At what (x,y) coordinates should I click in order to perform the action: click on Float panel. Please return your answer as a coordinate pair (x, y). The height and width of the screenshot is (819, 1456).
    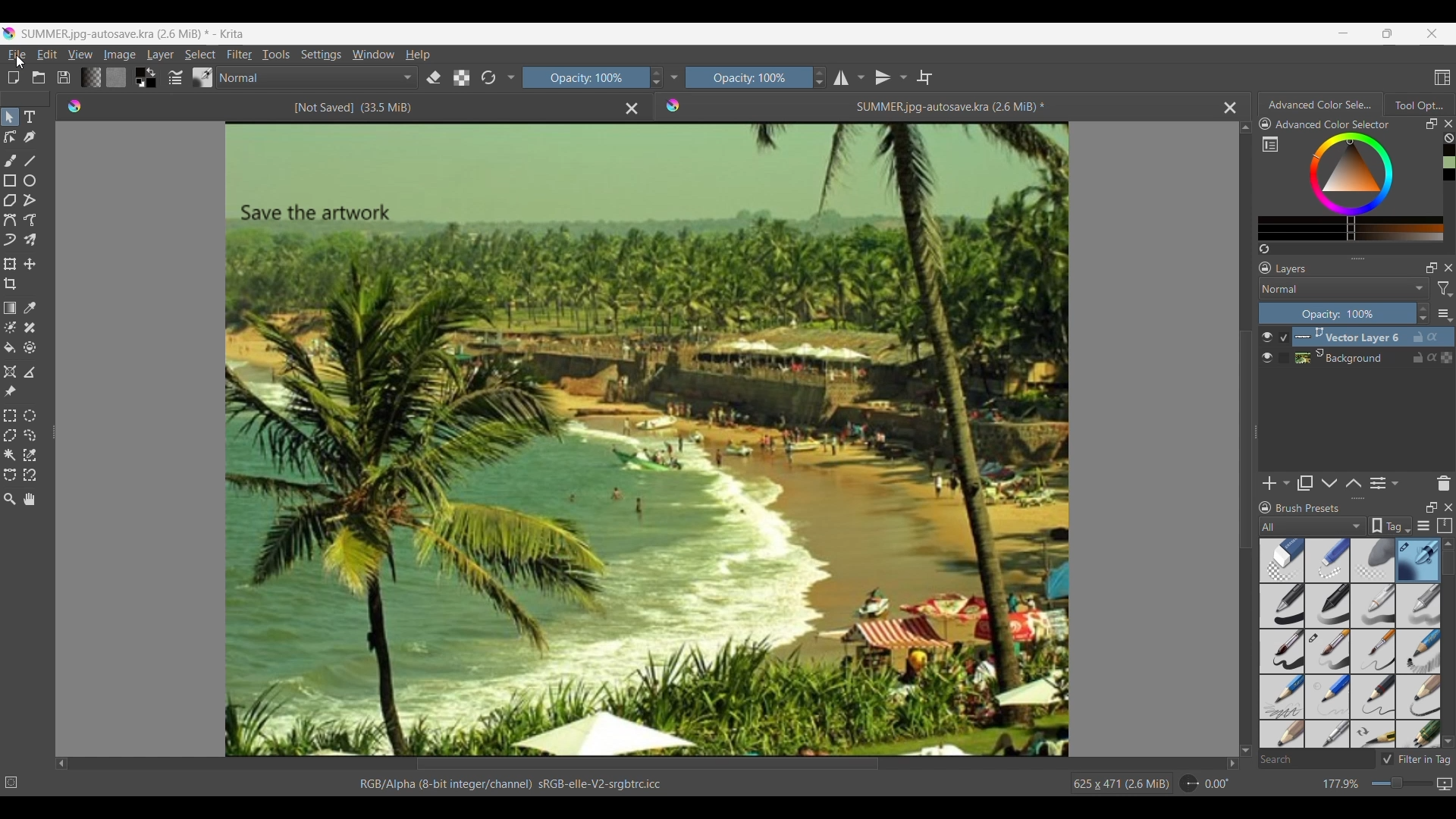
    Looking at the image, I should click on (1431, 124).